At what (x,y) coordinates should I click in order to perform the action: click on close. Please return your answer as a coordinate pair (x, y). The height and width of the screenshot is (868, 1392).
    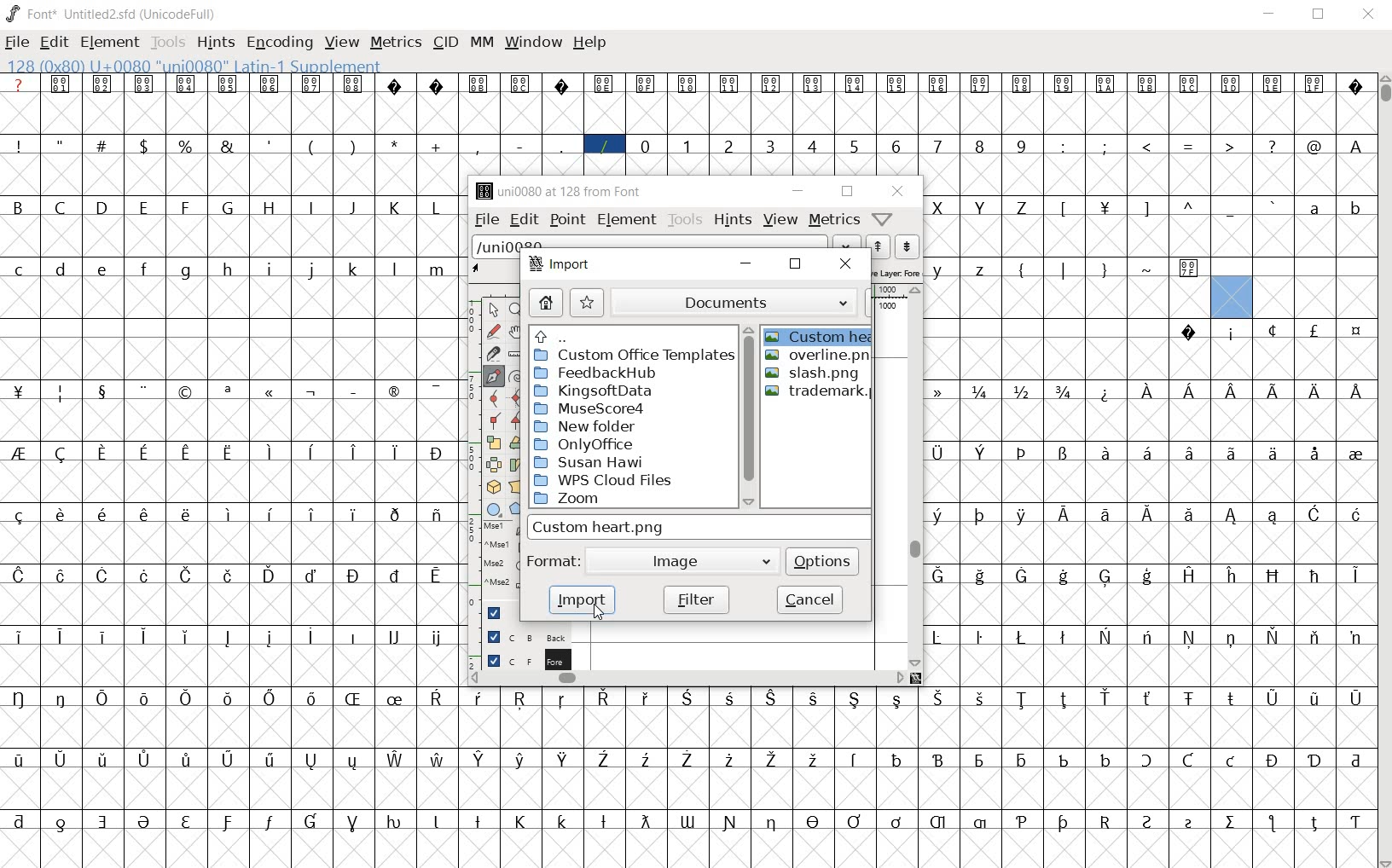
    Looking at the image, I should click on (848, 264).